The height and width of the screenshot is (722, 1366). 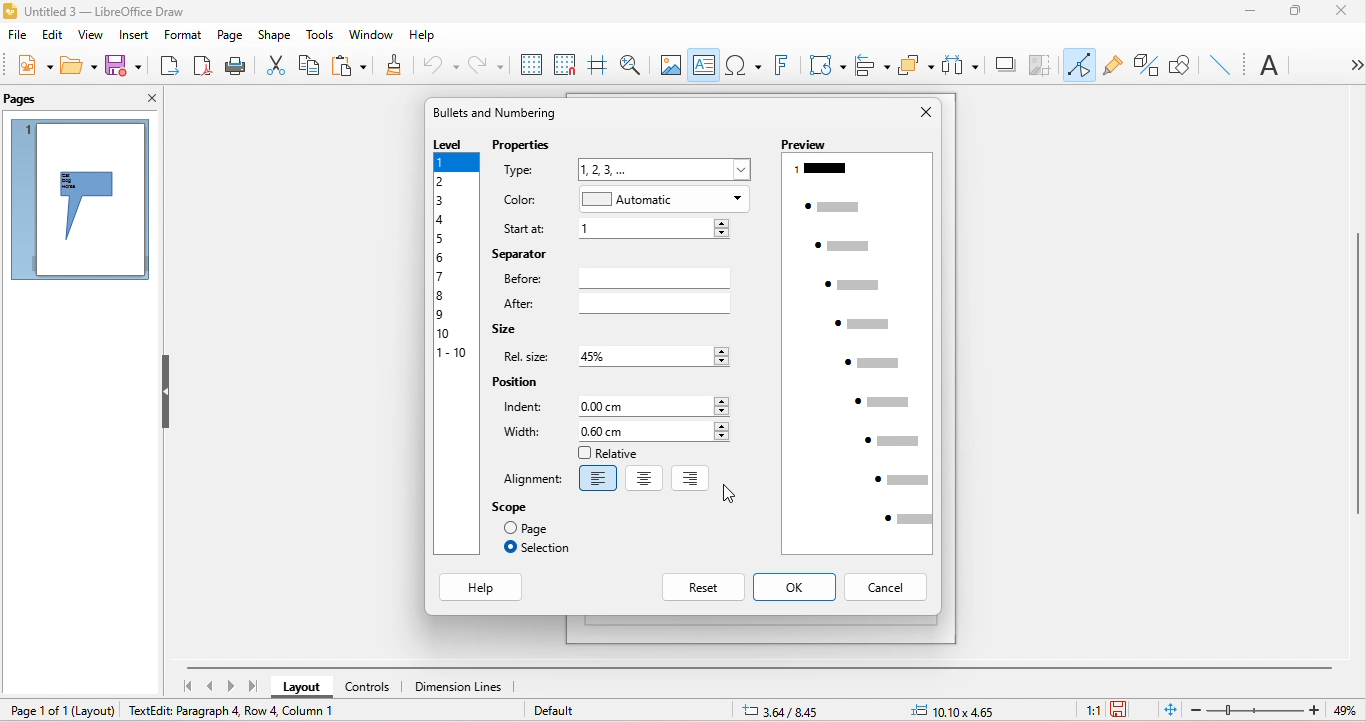 I want to click on close, so click(x=146, y=96).